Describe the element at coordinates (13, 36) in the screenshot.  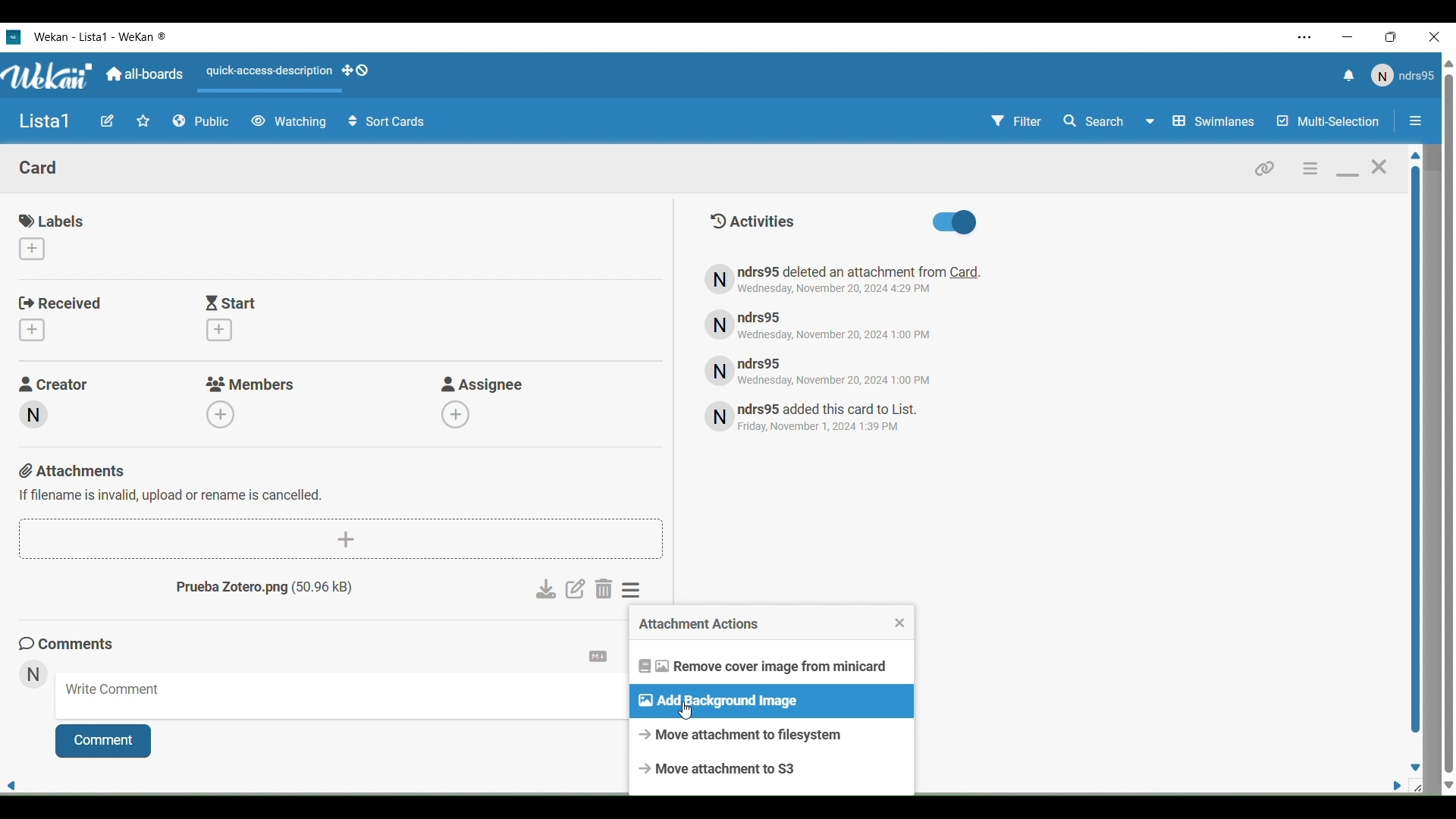
I see `Wekan logo` at that location.